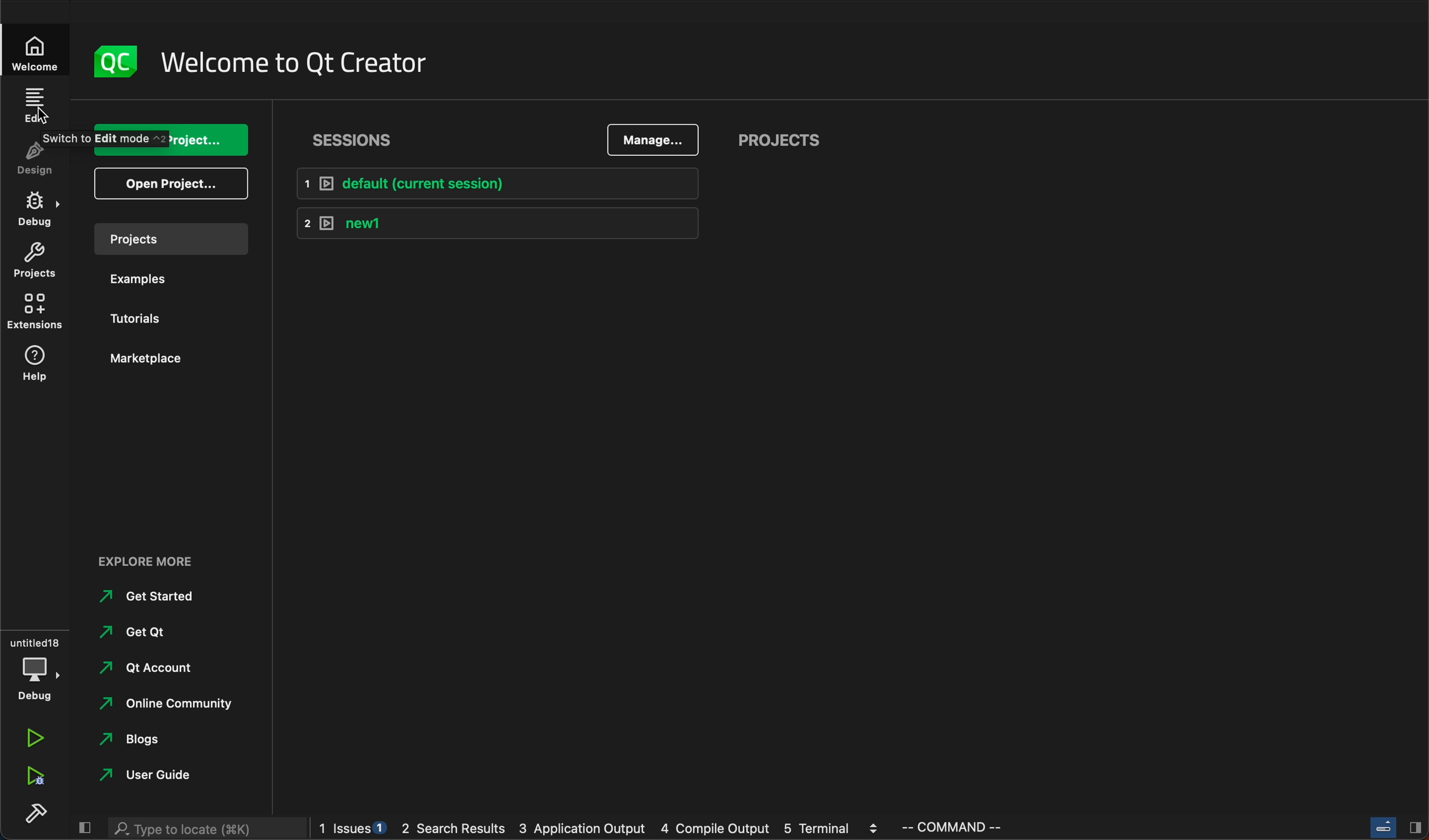 Image resolution: width=1429 pixels, height=840 pixels. Describe the element at coordinates (35, 811) in the screenshot. I see `build` at that location.